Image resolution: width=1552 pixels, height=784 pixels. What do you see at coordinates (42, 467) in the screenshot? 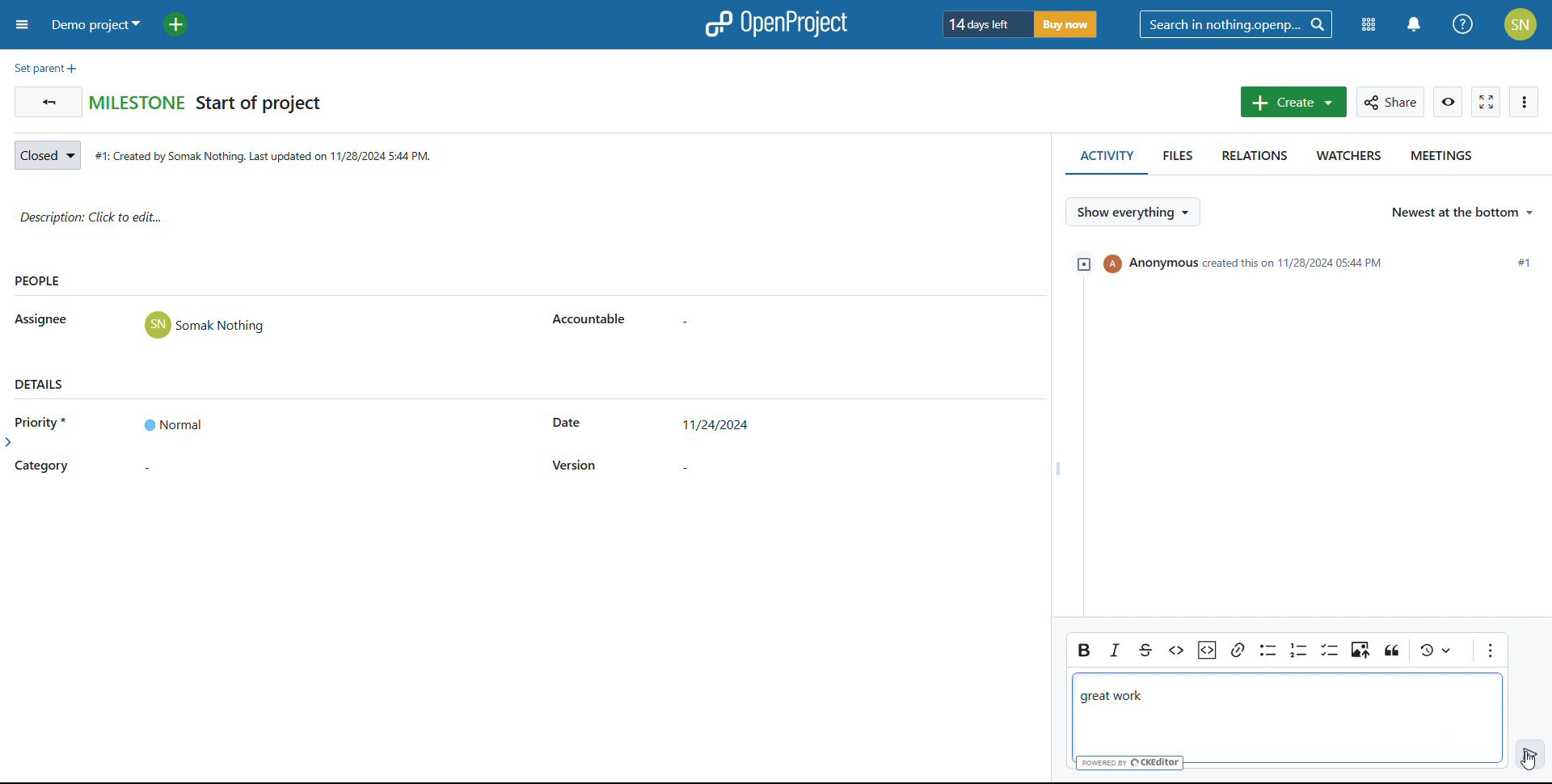
I see `category` at bounding box center [42, 467].